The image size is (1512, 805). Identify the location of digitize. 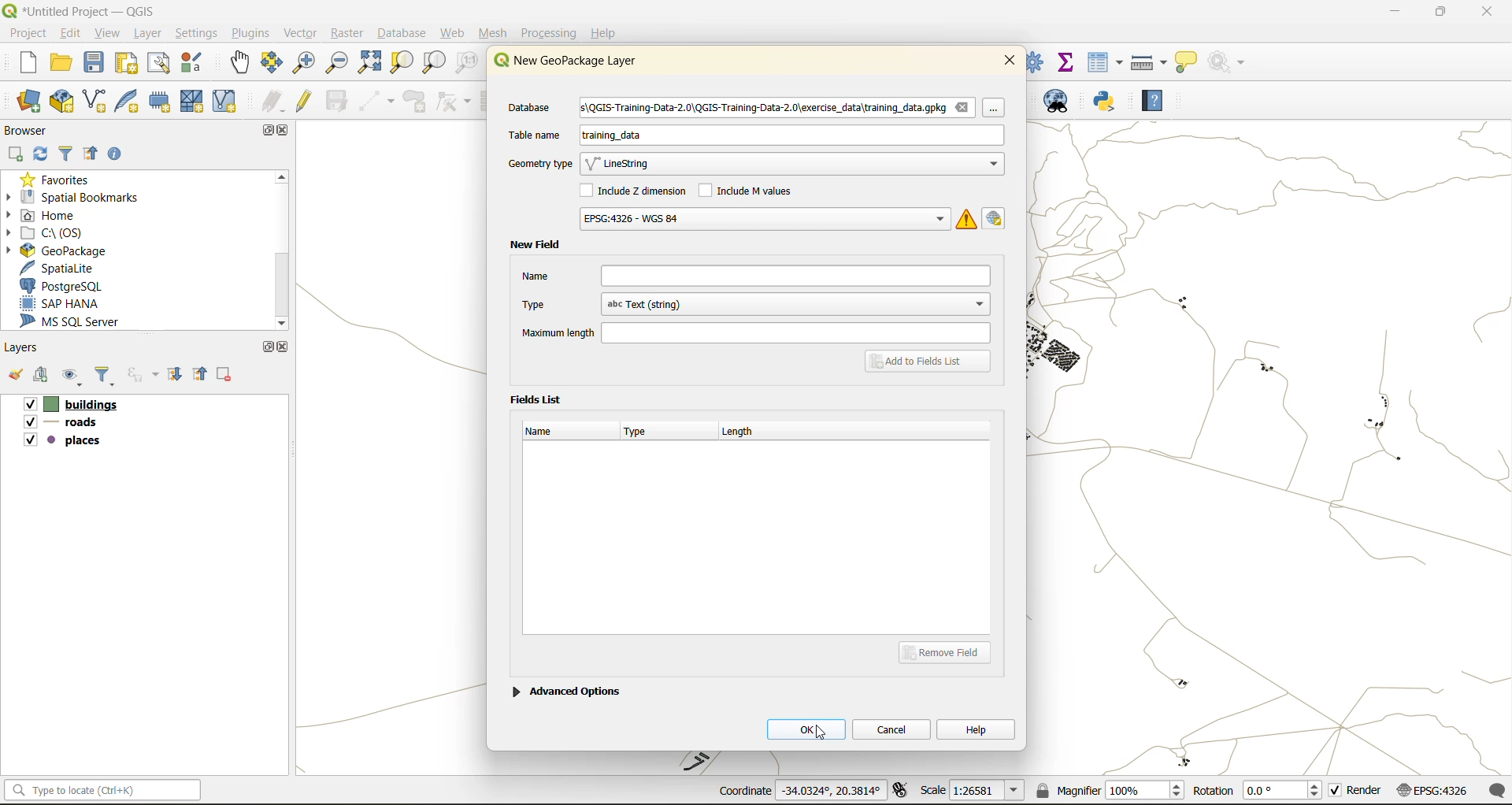
(378, 102).